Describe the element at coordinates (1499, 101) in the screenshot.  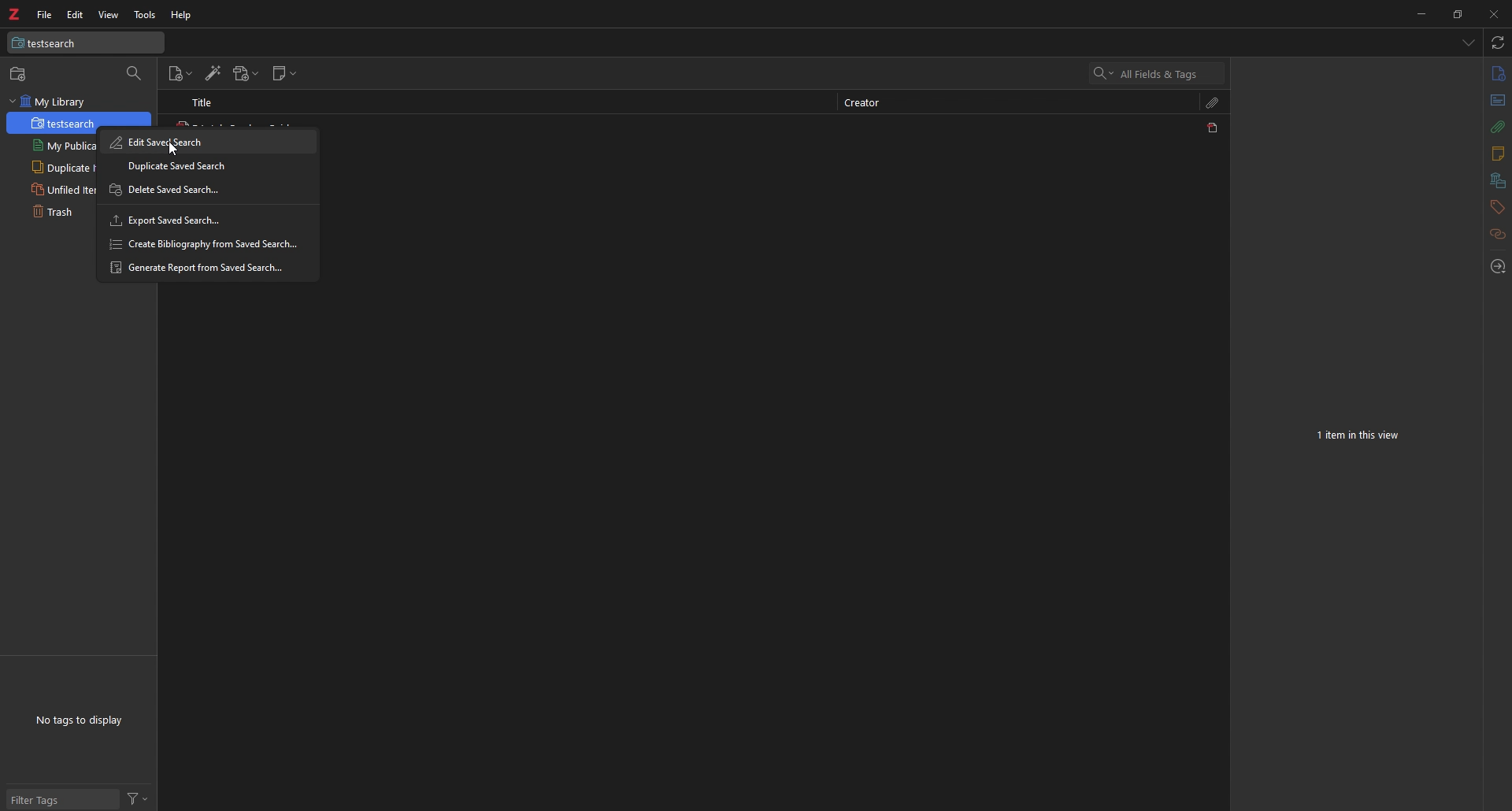
I see `abstract` at that location.